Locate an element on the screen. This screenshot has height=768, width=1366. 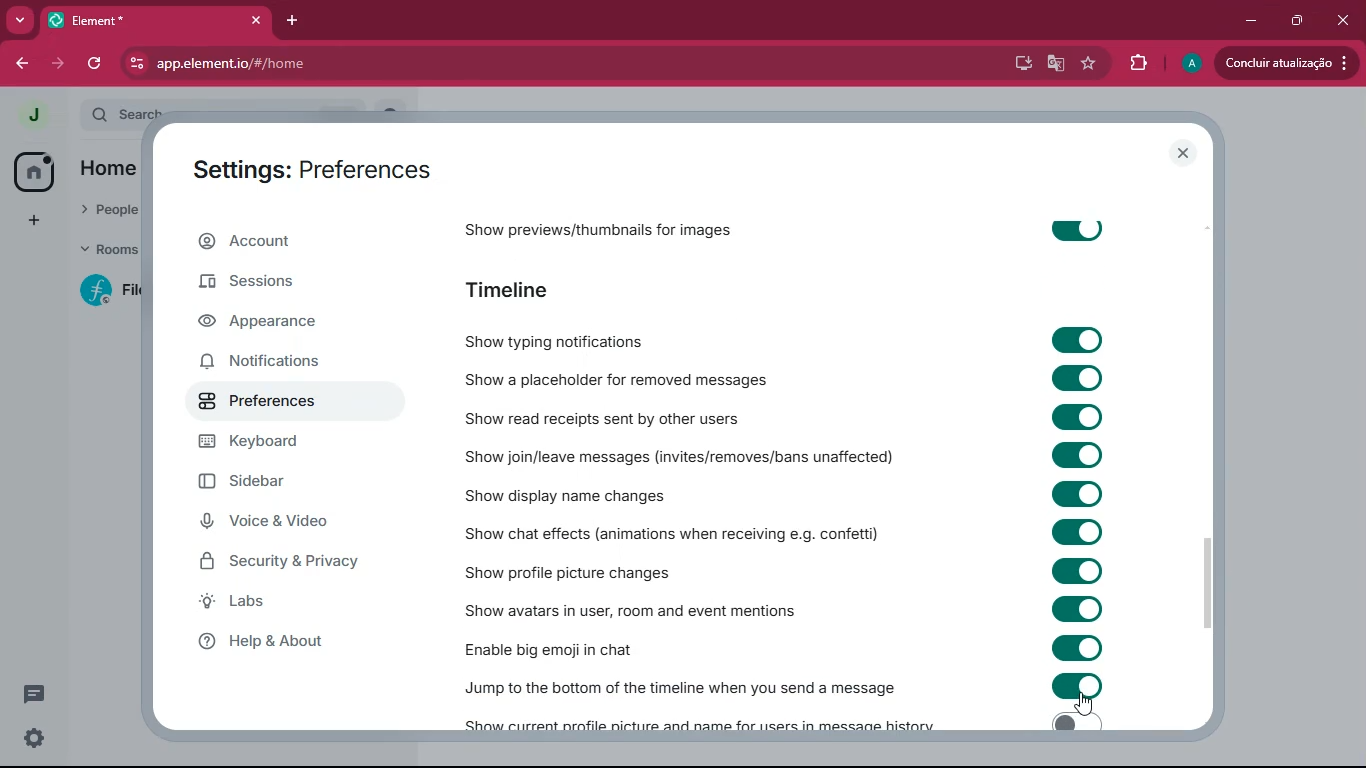
security & privacy is located at coordinates (283, 566).